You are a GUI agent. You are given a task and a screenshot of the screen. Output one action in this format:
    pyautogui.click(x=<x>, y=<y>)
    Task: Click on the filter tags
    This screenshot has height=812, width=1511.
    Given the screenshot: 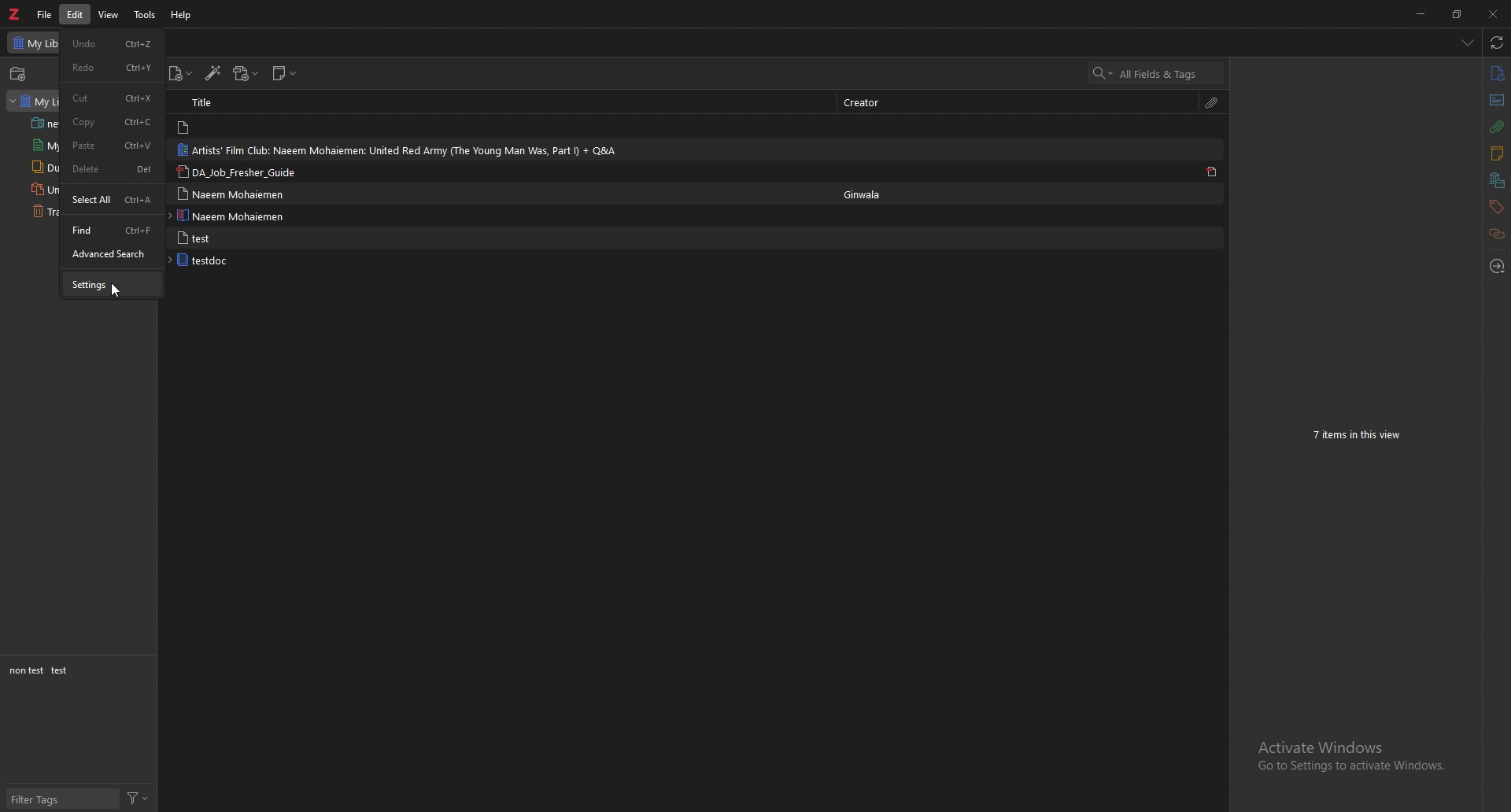 What is the action you would take?
    pyautogui.click(x=60, y=800)
    